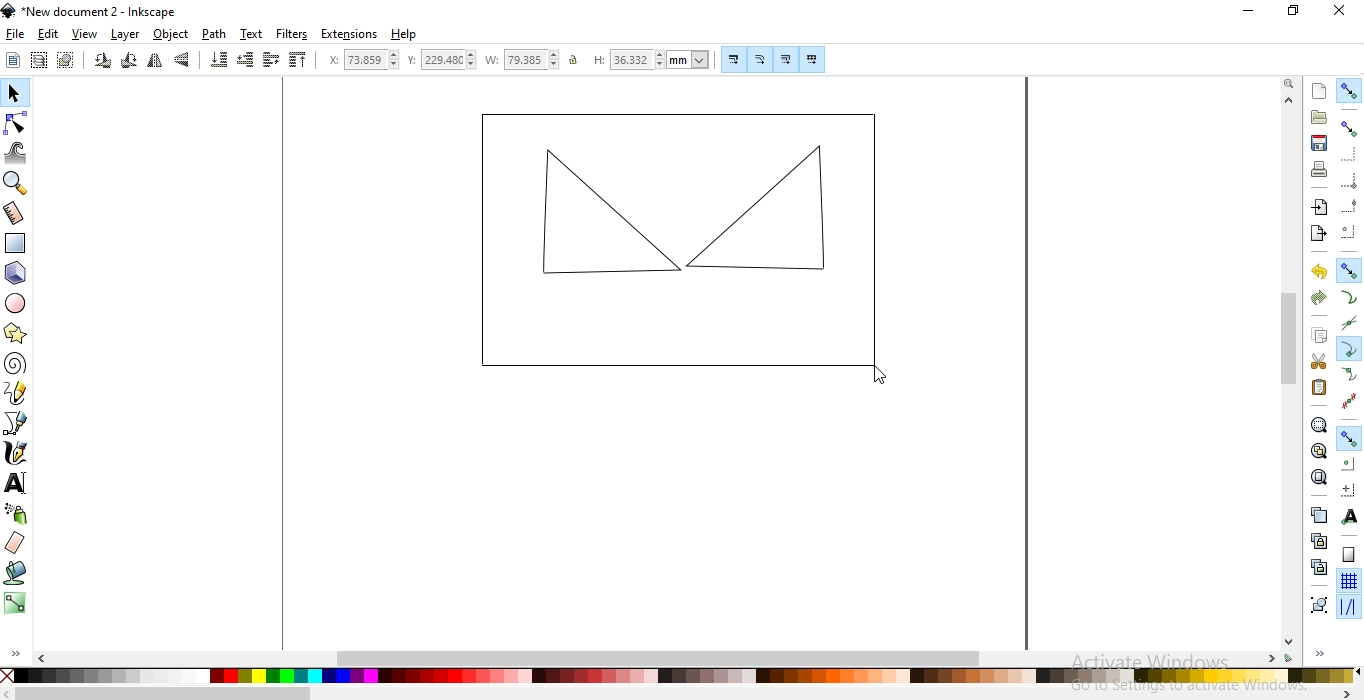 The width and height of the screenshot is (1364, 700). What do you see at coordinates (350, 35) in the screenshot?
I see `extensions` at bounding box center [350, 35].